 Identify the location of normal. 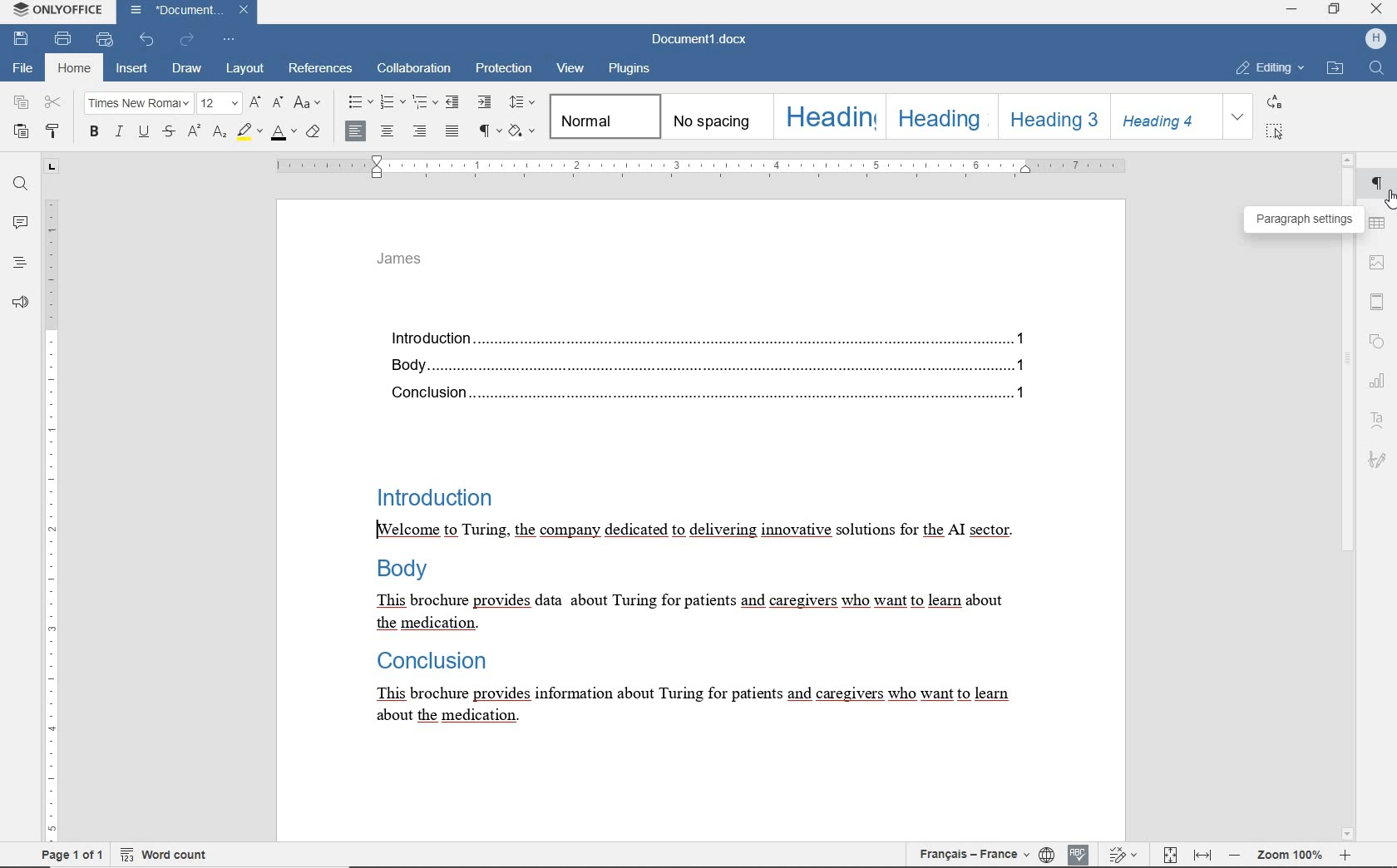
(604, 116).